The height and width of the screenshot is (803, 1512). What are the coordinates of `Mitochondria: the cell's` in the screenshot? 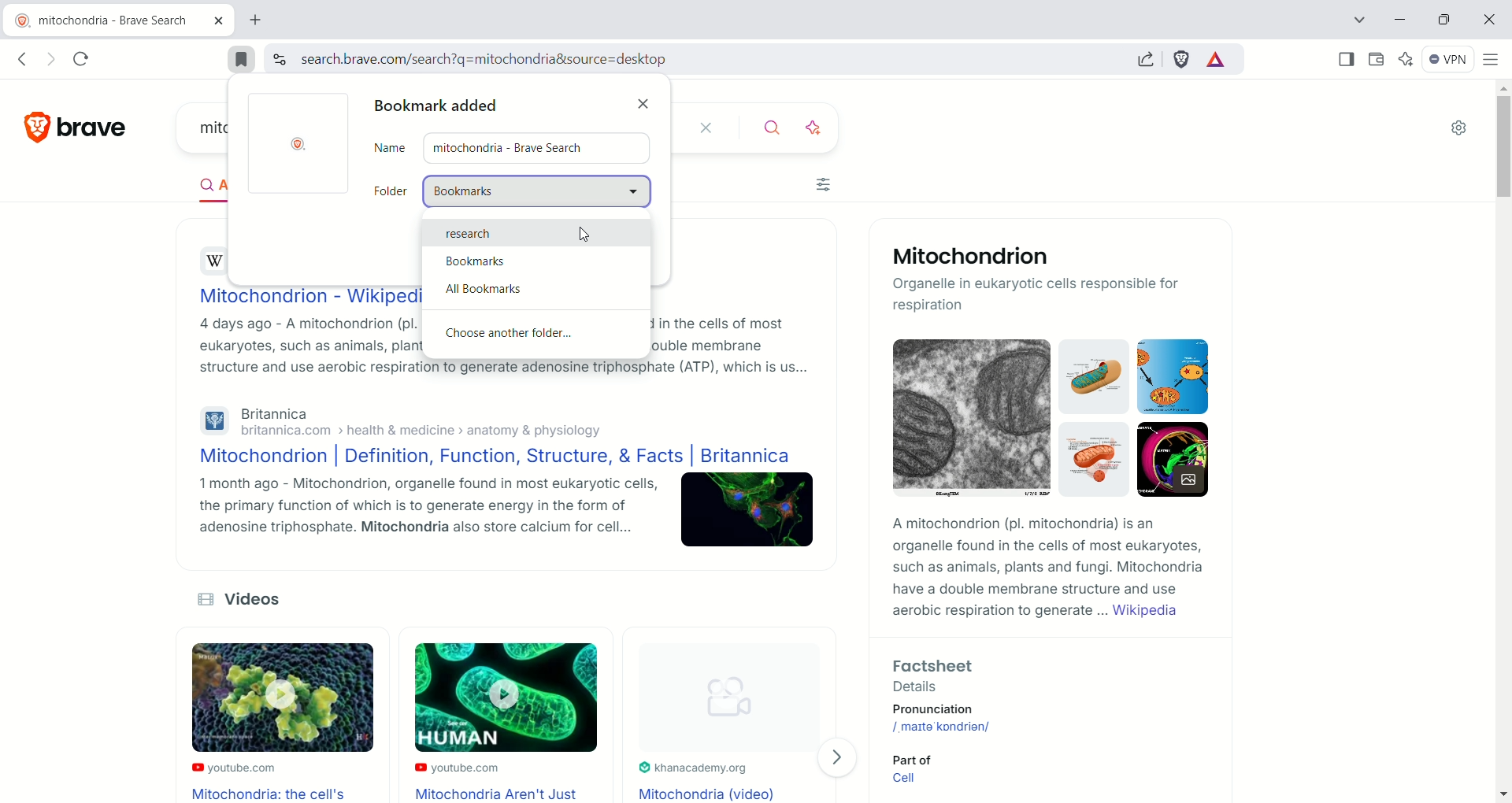 It's located at (272, 794).